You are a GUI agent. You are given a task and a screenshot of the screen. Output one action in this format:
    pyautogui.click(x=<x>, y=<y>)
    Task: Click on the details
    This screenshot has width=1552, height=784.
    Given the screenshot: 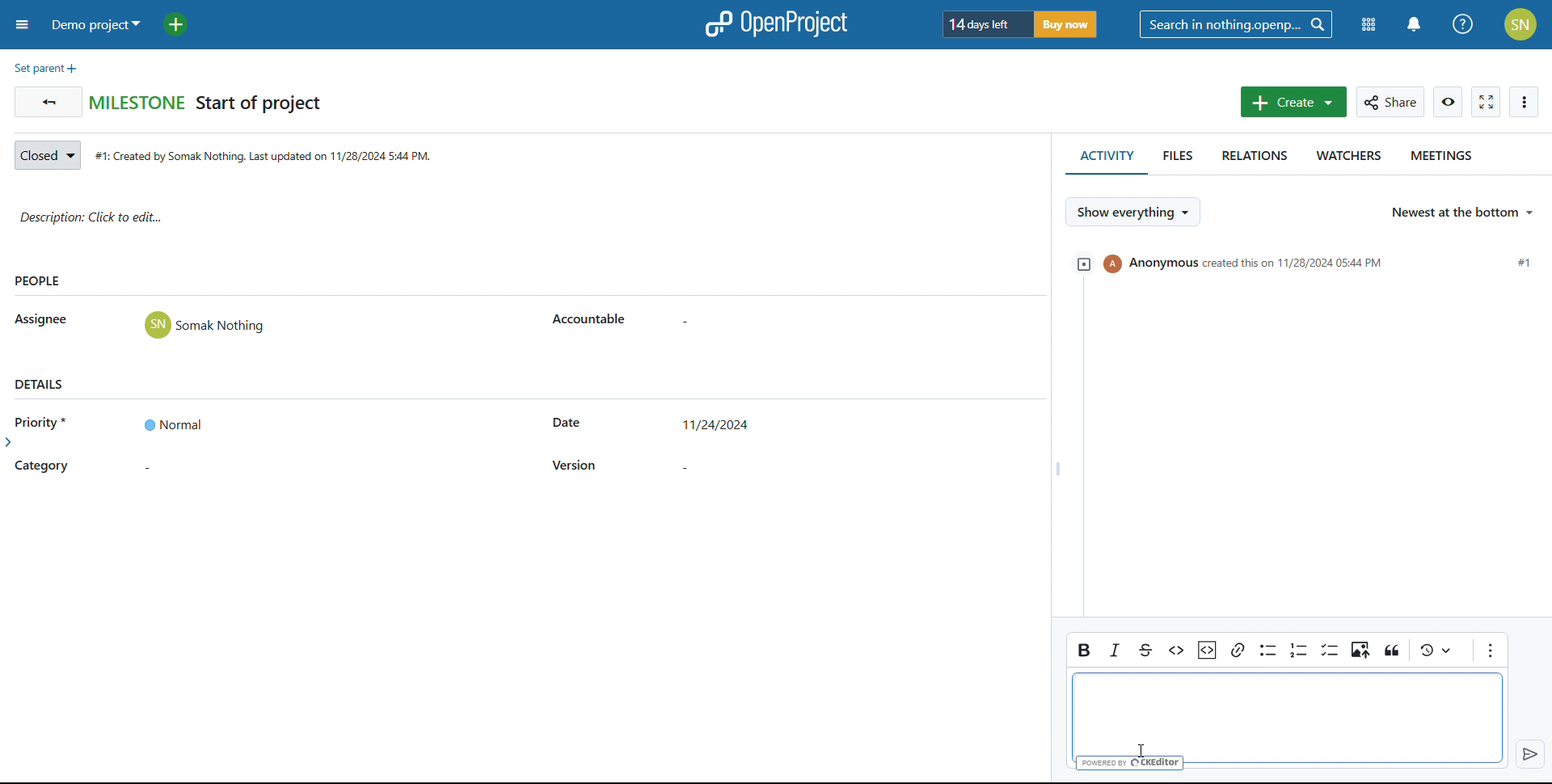 What is the action you would take?
    pyautogui.click(x=40, y=383)
    